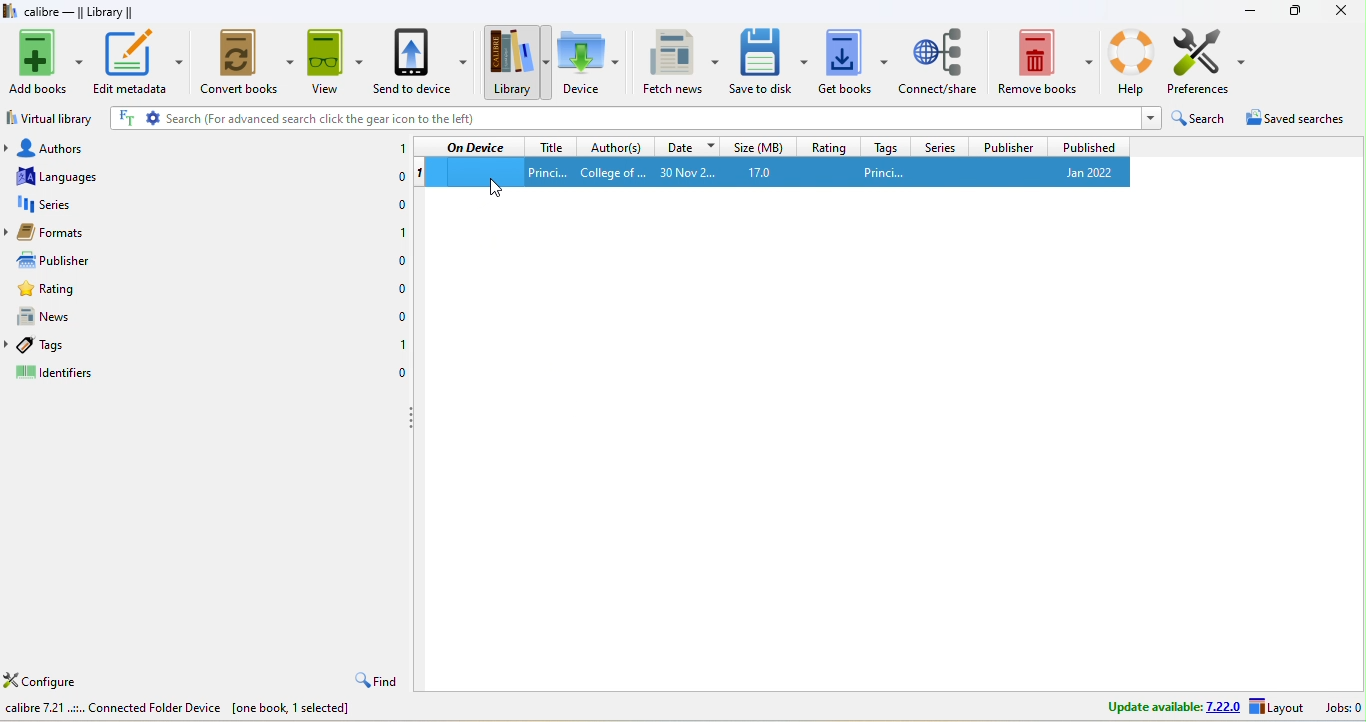 The width and height of the screenshot is (1366, 722). I want to click on library, so click(515, 62).